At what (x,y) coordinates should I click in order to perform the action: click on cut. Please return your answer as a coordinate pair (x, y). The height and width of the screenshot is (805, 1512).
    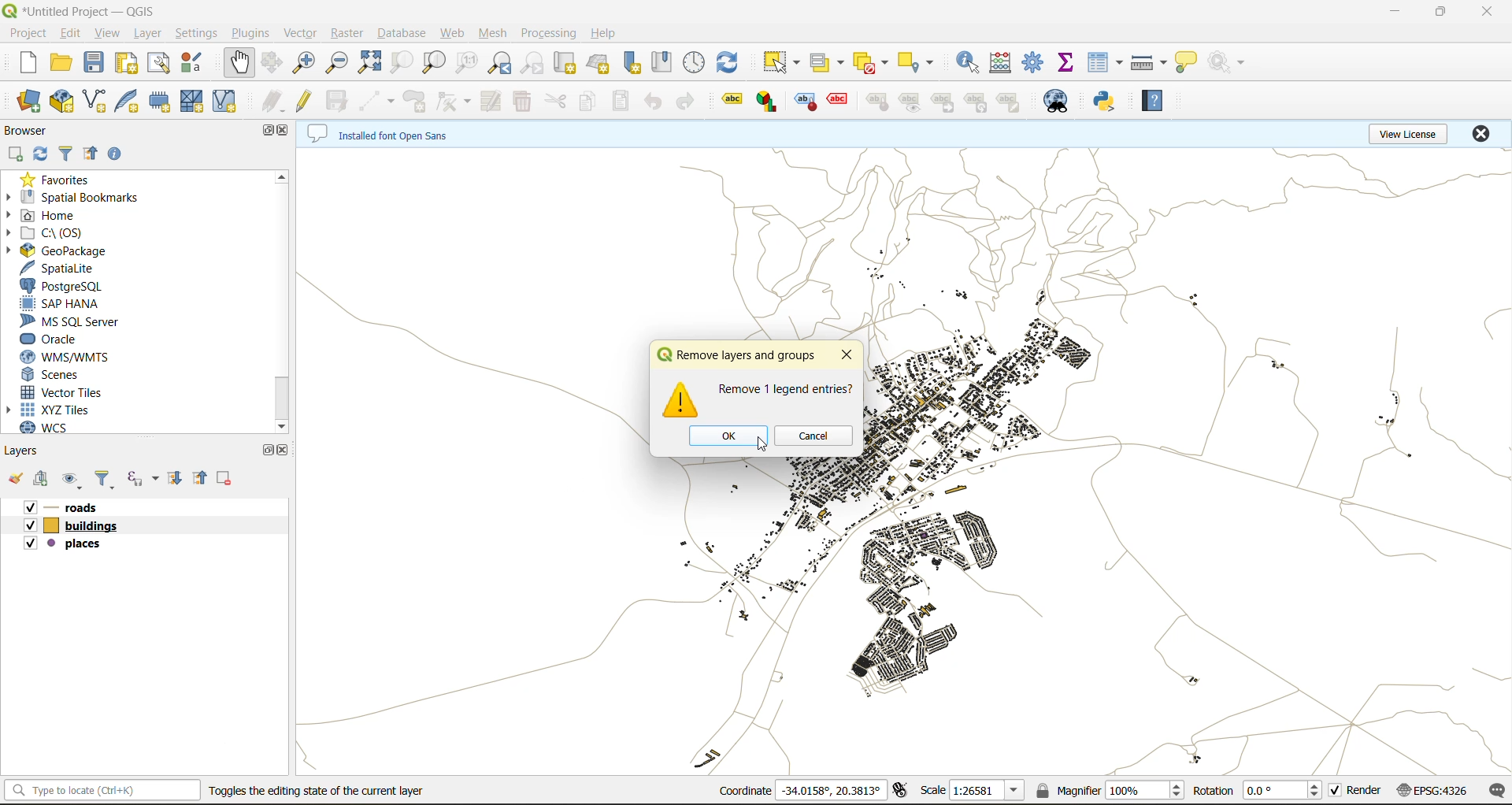
    Looking at the image, I should click on (552, 101).